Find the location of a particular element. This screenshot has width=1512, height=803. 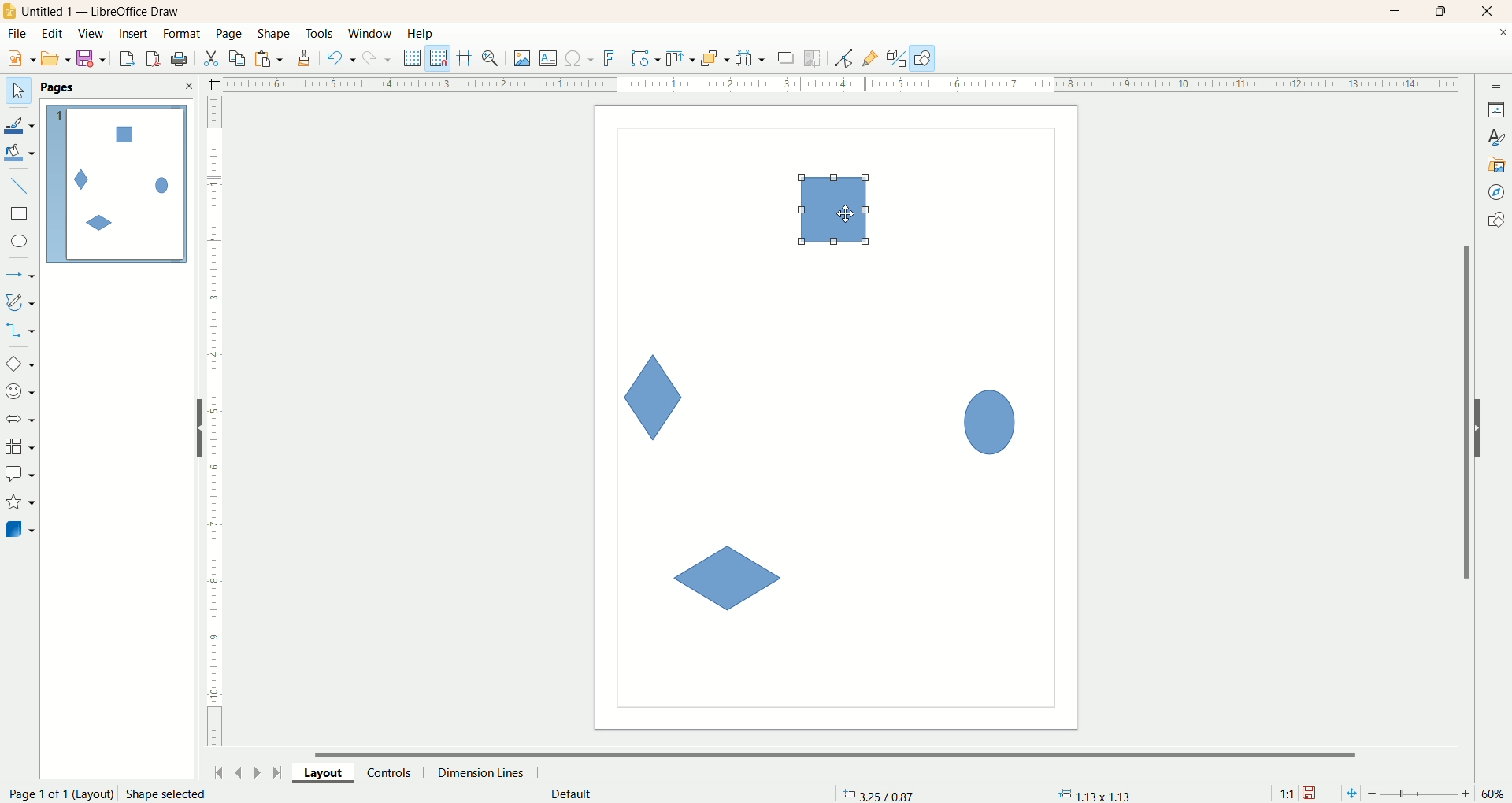

redo is located at coordinates (380, 57).